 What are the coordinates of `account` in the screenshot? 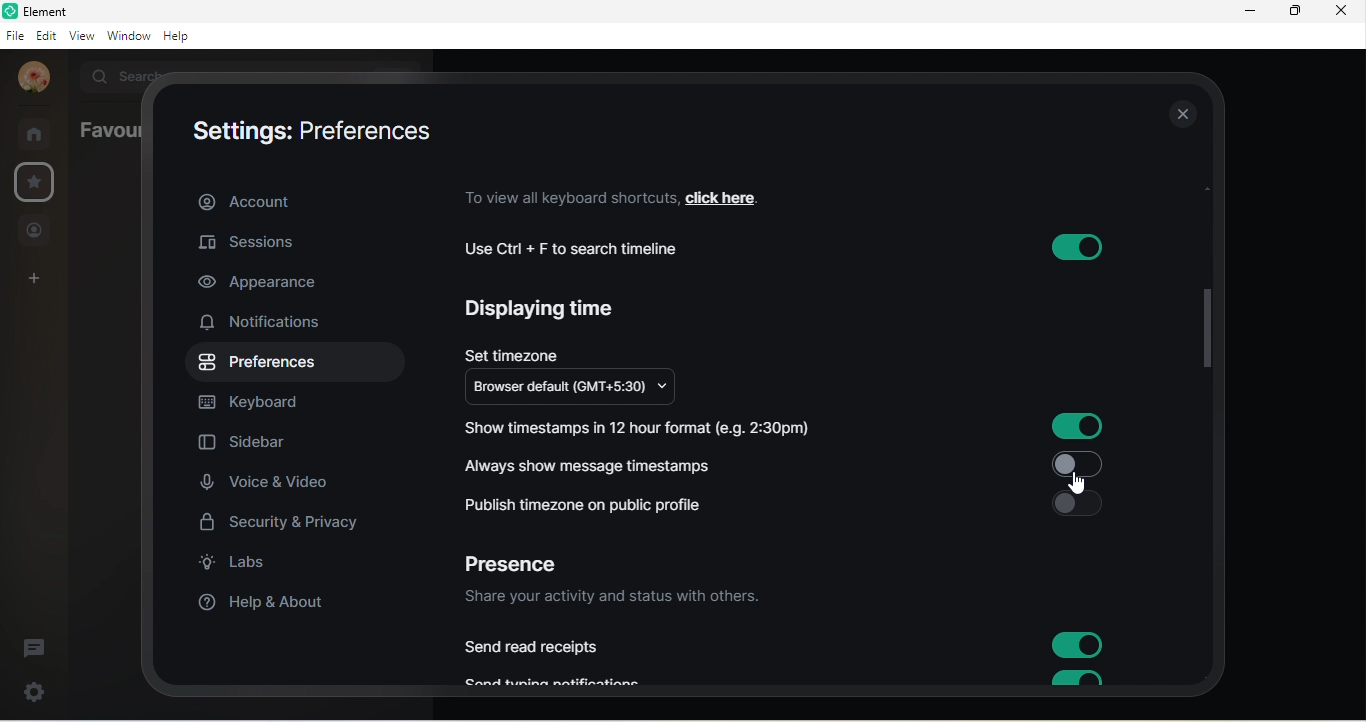 It's located at (299, 199).